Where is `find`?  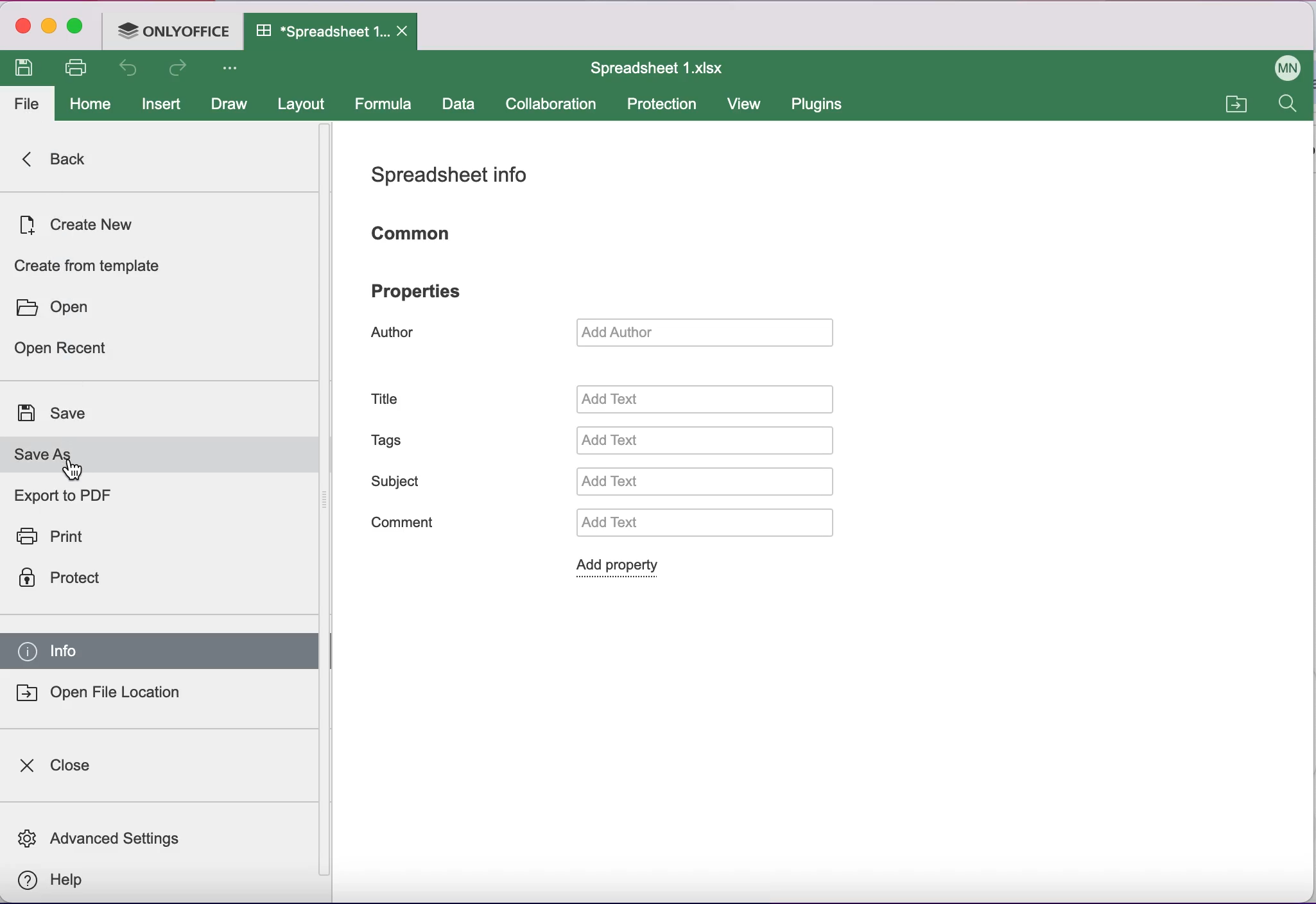
find is located at coordinates (1290, 108).